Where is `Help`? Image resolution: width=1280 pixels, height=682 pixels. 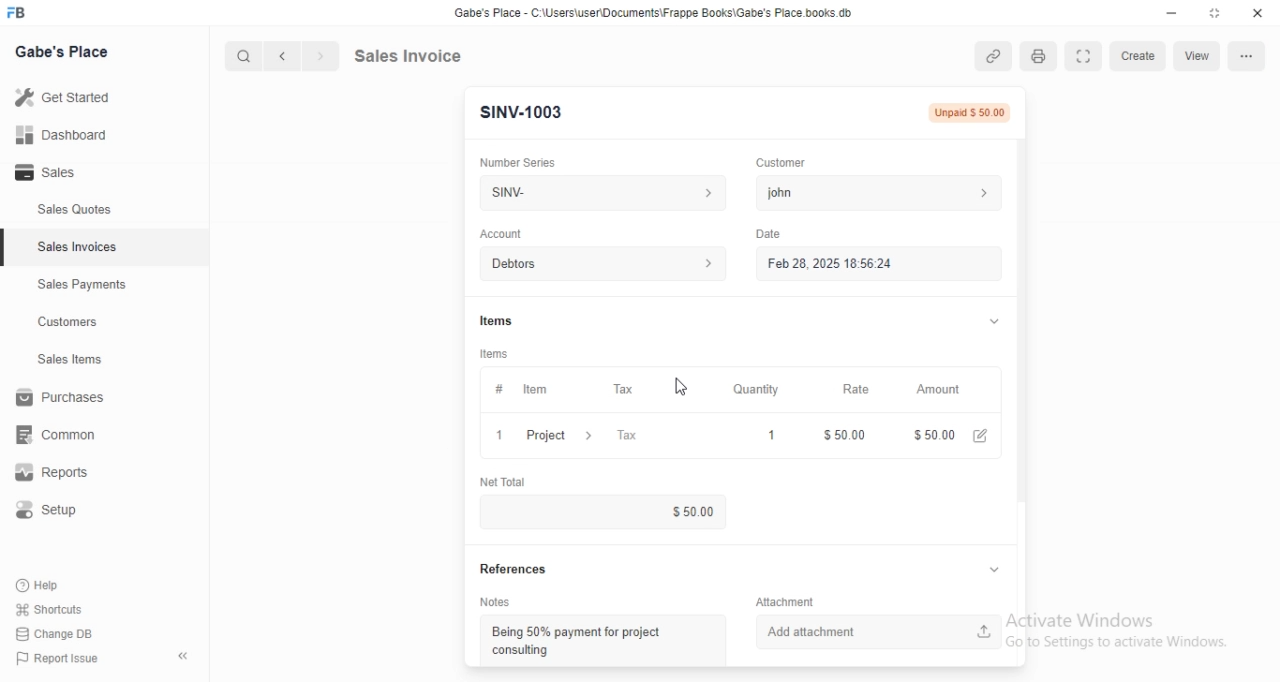
Help is located at coordinates (57, 584).